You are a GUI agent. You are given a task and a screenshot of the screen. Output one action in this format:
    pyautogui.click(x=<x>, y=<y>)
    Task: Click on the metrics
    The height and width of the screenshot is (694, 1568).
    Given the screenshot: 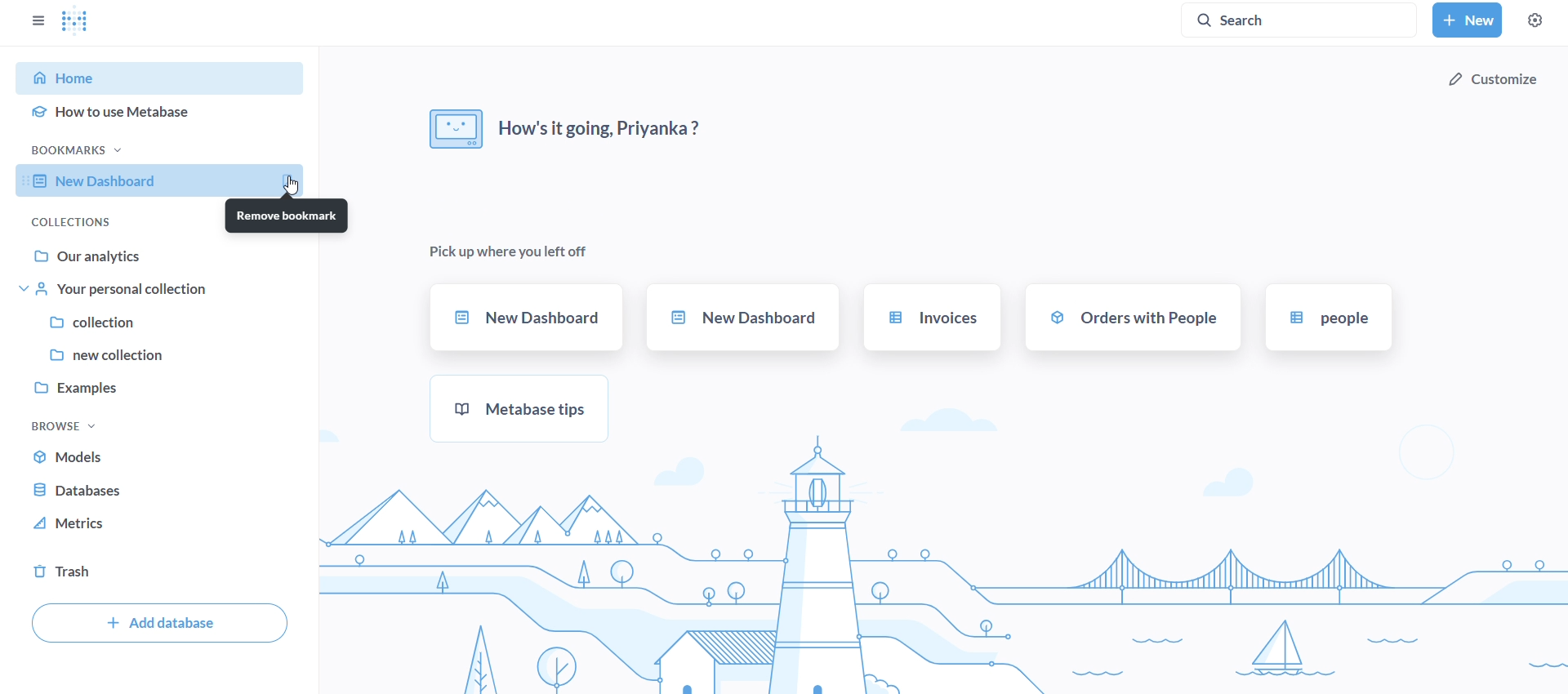 What is the action you would take?
    pyautogui.click(x=79, y=523)
    